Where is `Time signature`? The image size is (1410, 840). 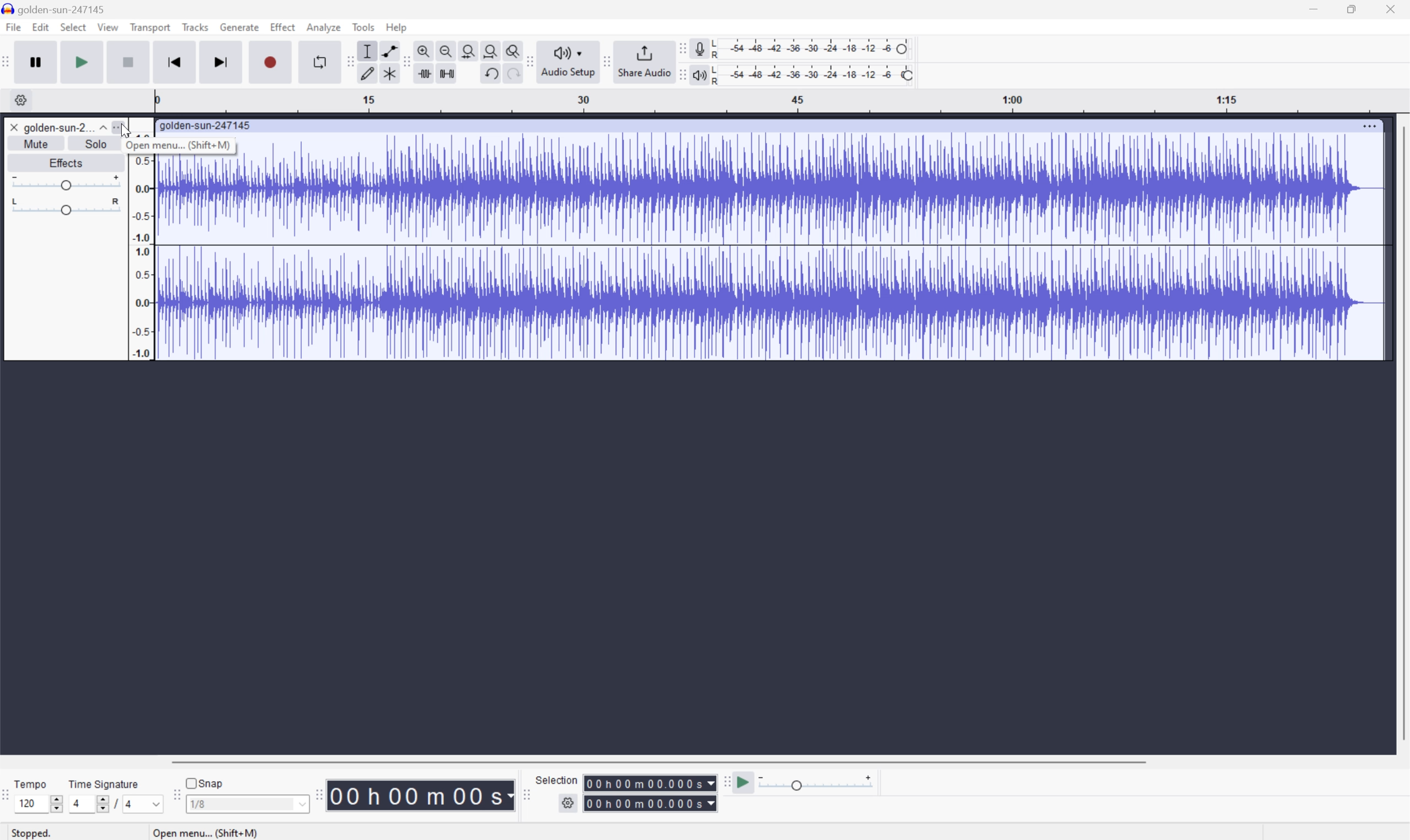
Time signature is located at coordinates (104, 782).